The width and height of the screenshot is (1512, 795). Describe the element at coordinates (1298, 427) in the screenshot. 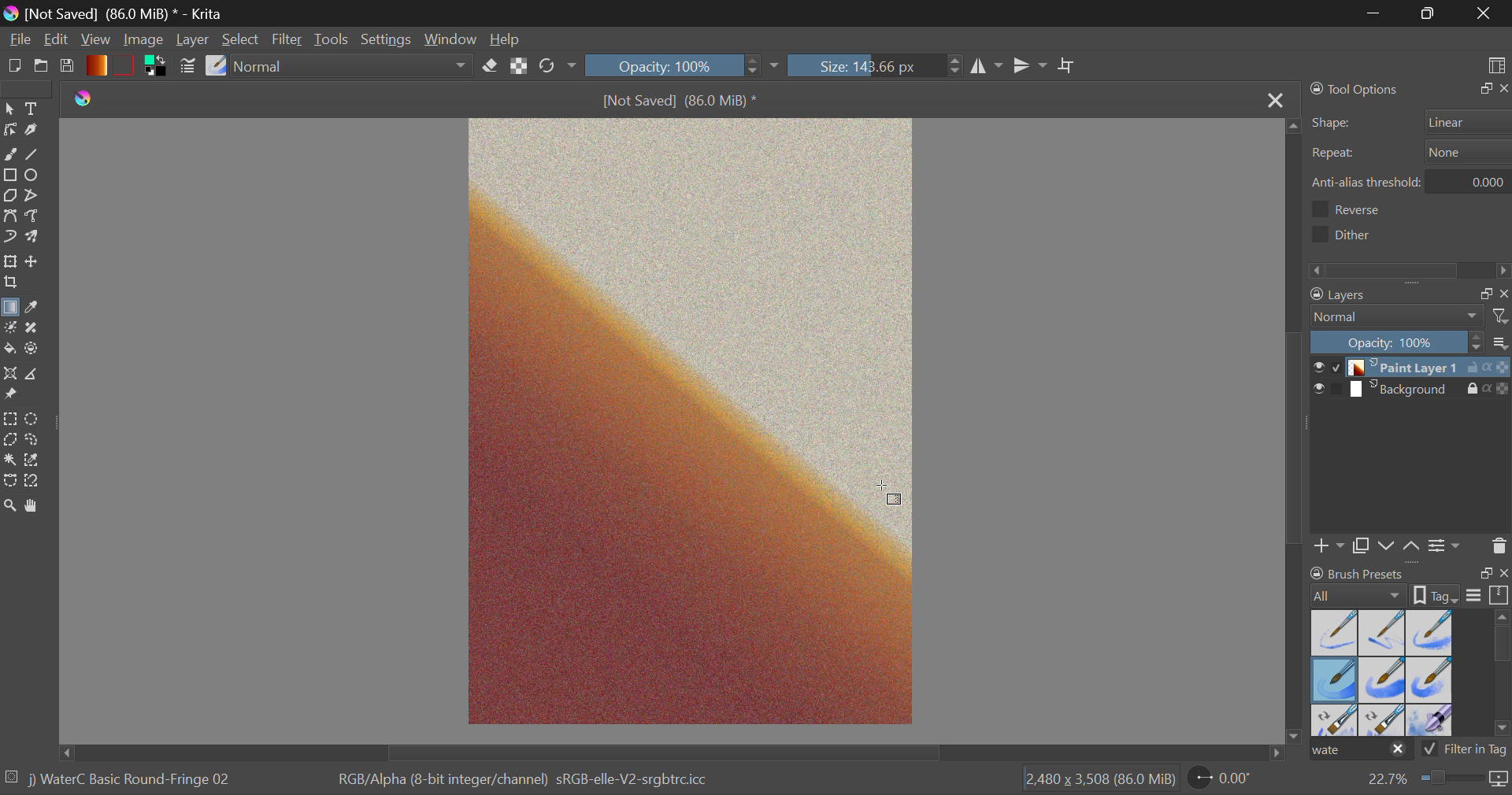

I see `Scroll Bar` at that location.